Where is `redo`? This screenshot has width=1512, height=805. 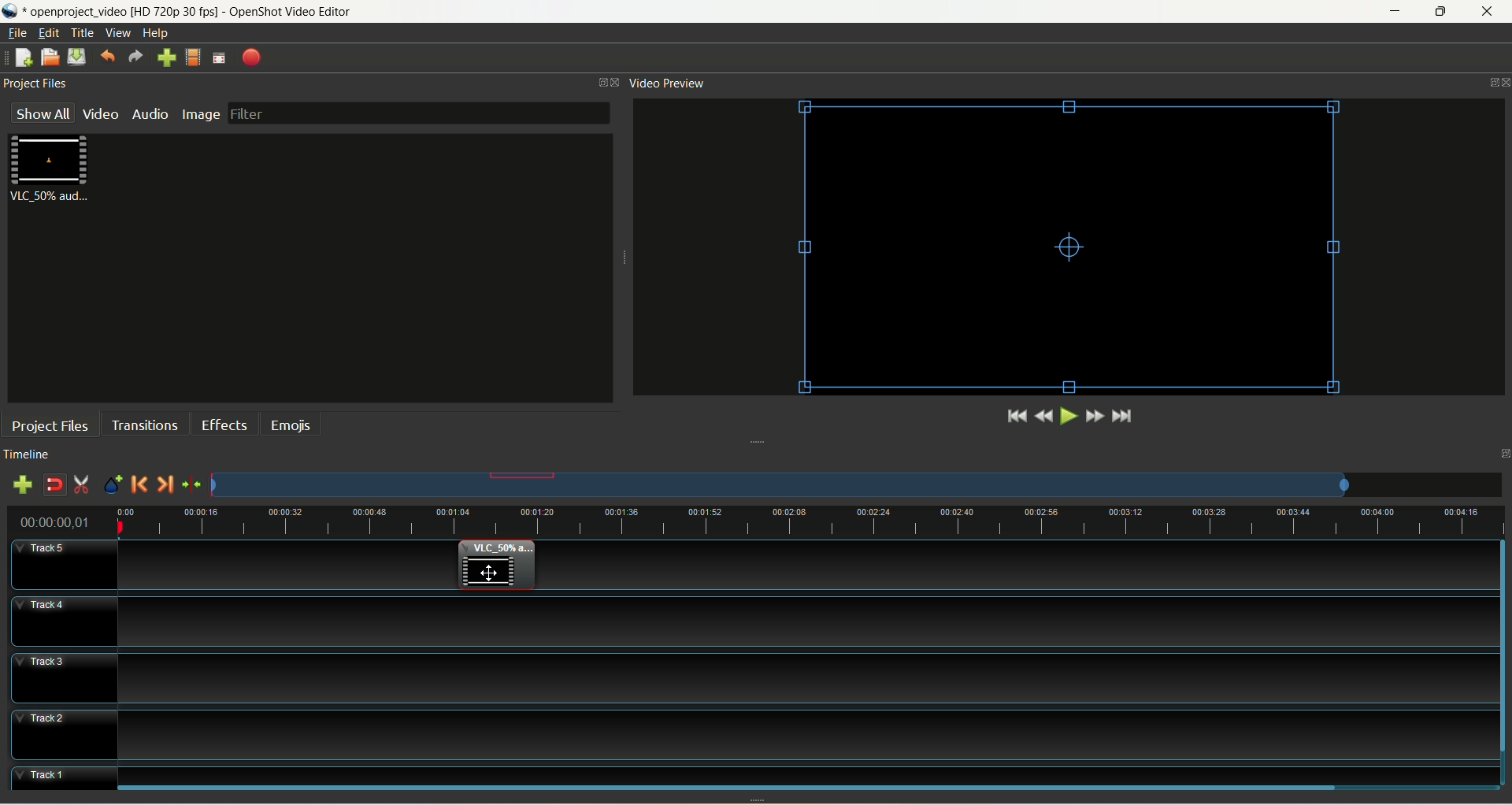
redo is located at coordinates (136, 57).